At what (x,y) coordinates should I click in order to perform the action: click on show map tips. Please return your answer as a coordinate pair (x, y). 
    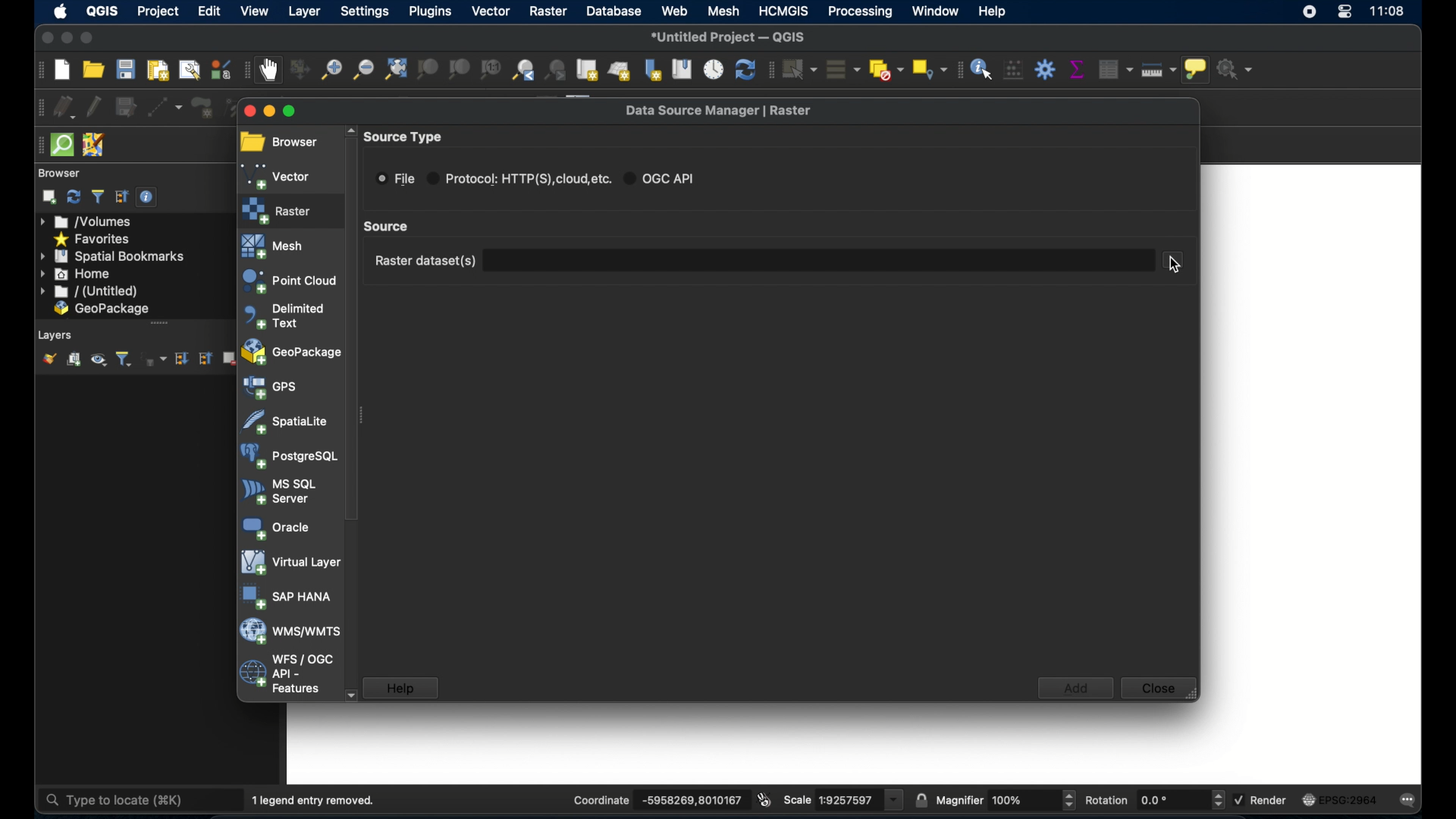
    Looking at the image, I should click on (1197, 71).